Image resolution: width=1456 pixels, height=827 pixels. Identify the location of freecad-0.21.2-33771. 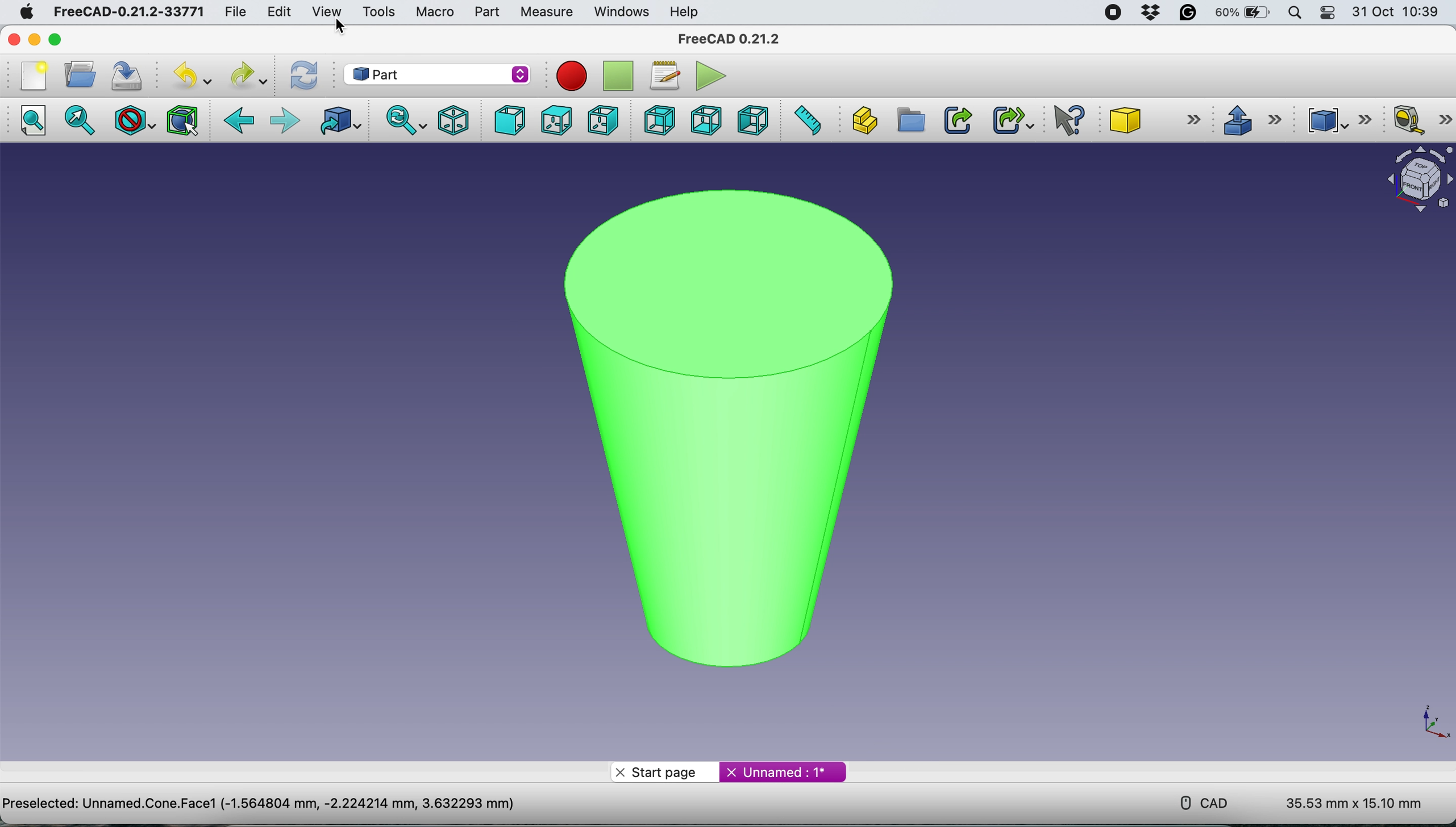
(130, 12).